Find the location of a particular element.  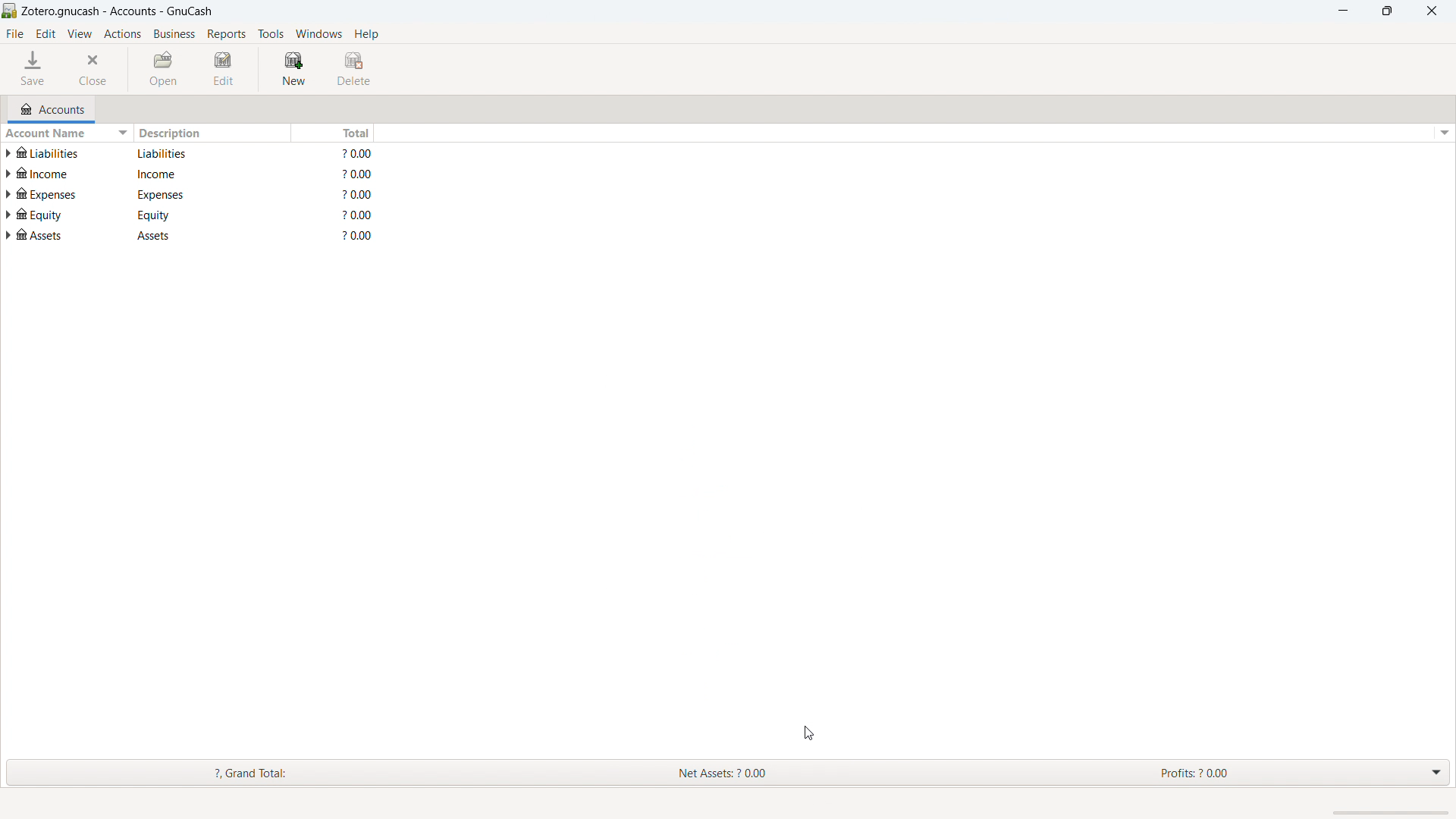

close is located at coordinates (94, 69).